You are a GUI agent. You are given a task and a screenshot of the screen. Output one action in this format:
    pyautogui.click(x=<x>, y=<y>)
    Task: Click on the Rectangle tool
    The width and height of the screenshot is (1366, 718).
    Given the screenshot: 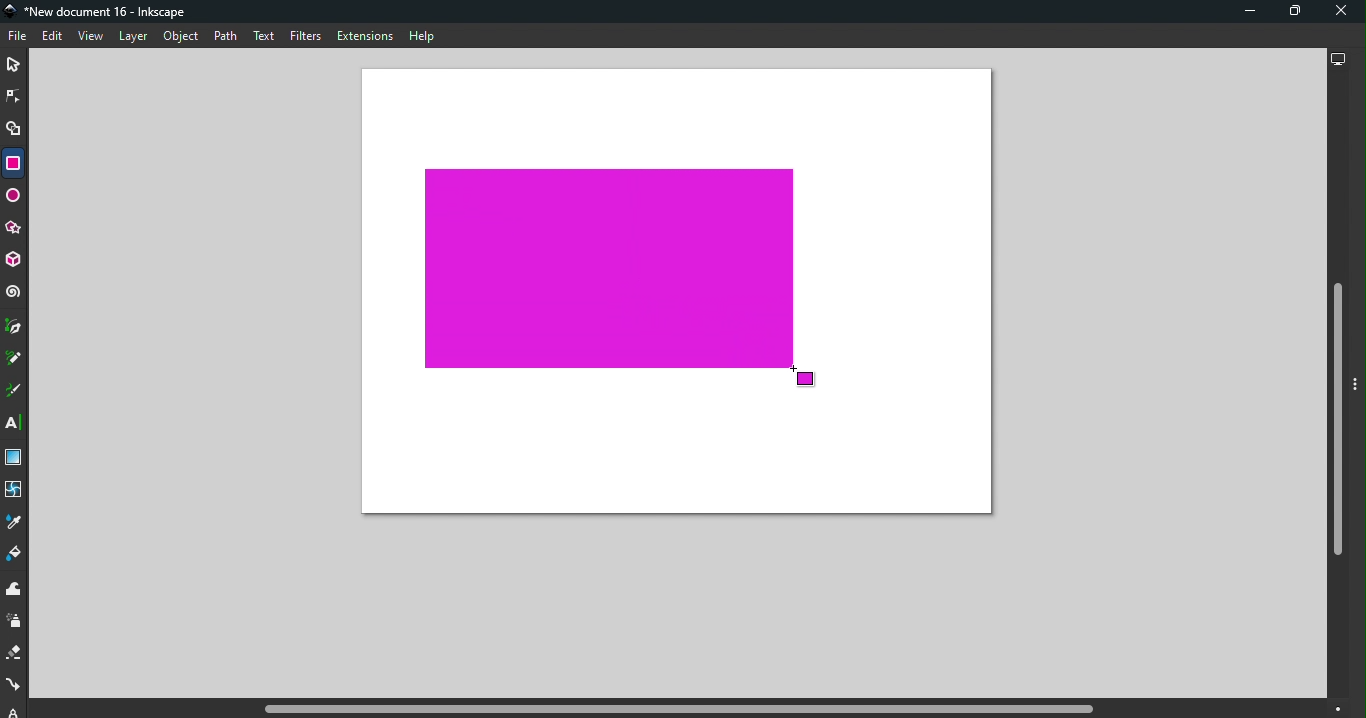 What is the action you would take?
    pyautogui.click(x=12, y=163)
    